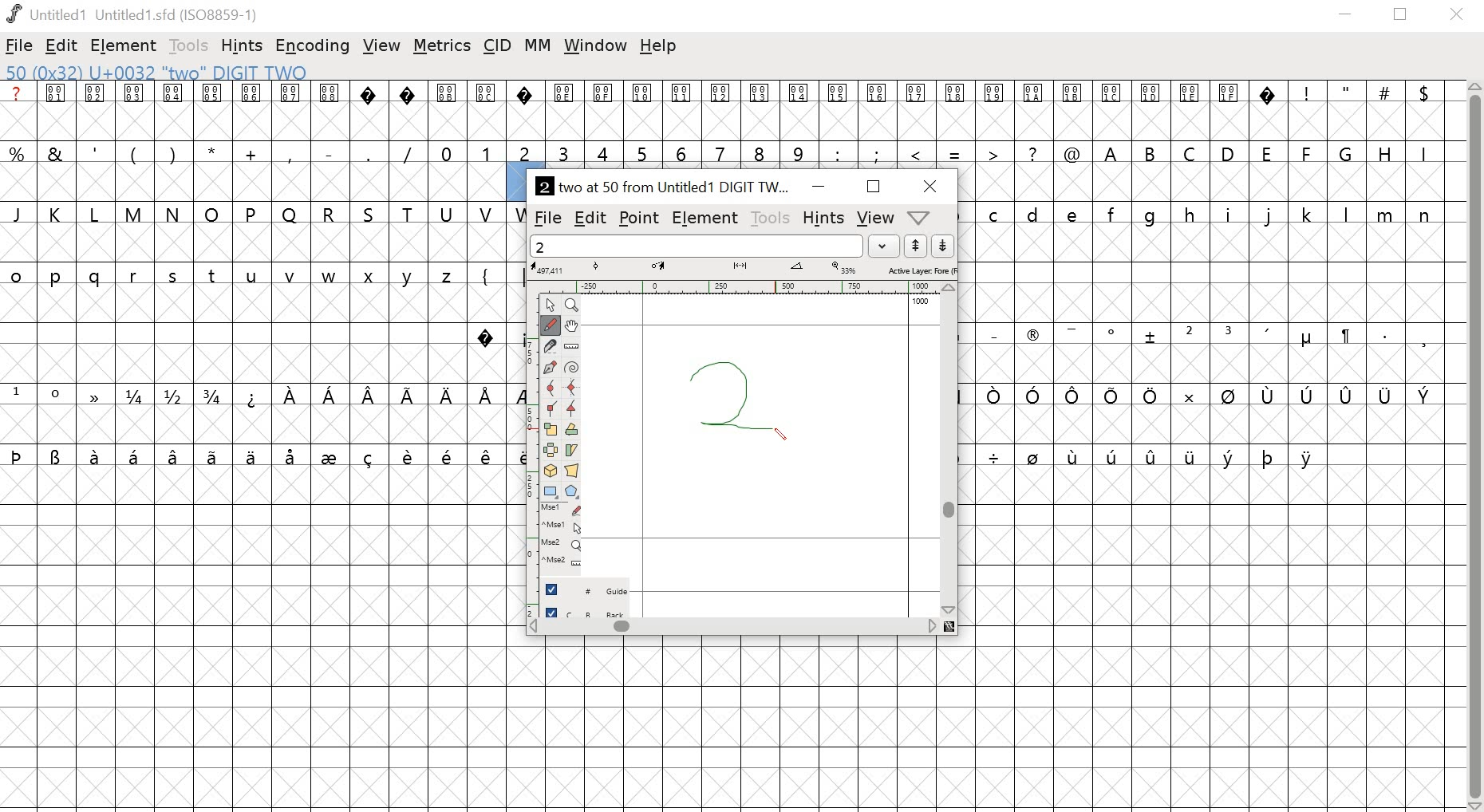 This screenshot has height=812, width=1484. I want to click on 50 (0x32) U+0032 "two" DIGIT TWO, so click(160, 73).